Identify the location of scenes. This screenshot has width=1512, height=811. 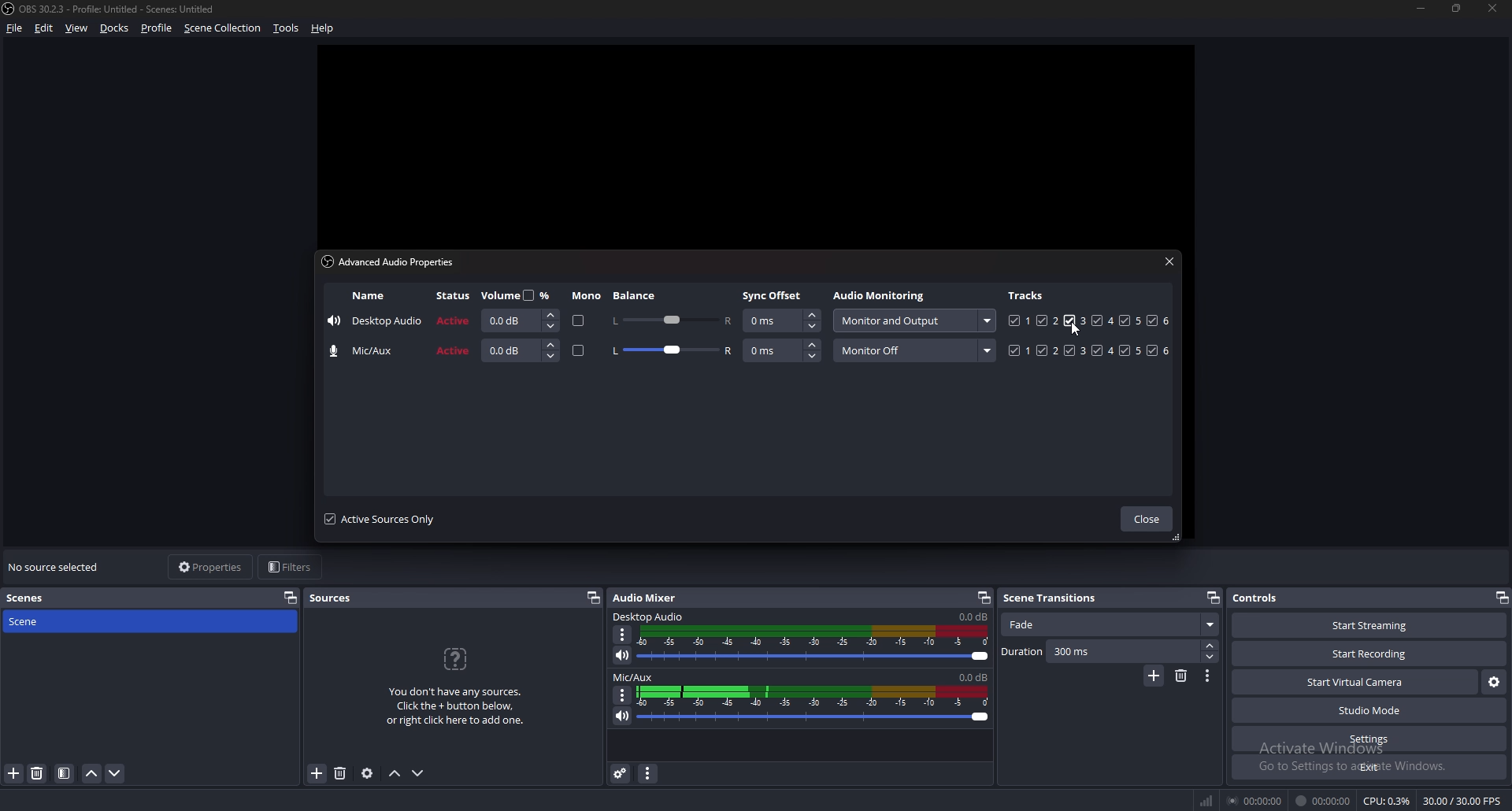
(34, 597).